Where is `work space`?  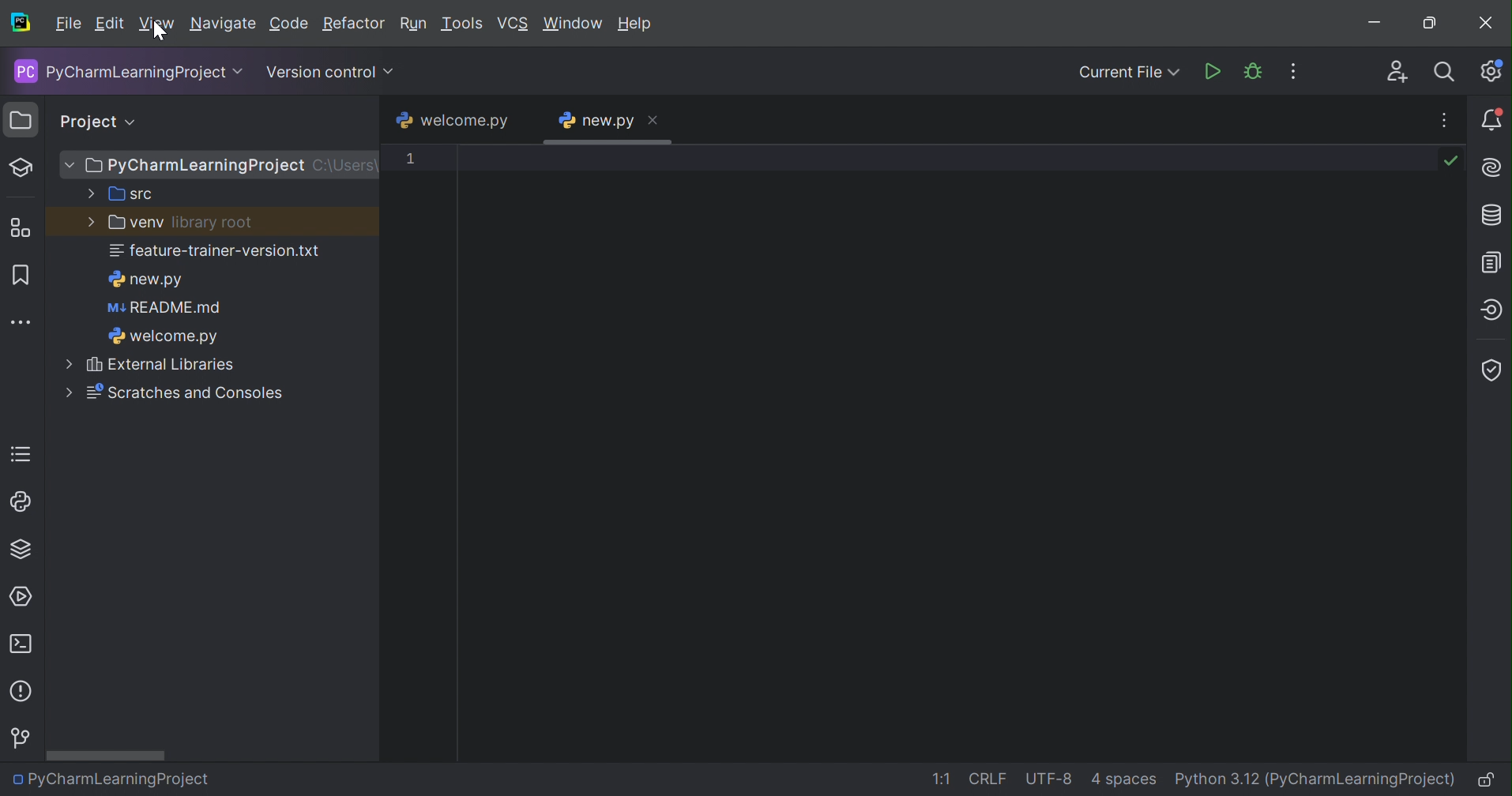
work space is located at coordinates (950, 449).